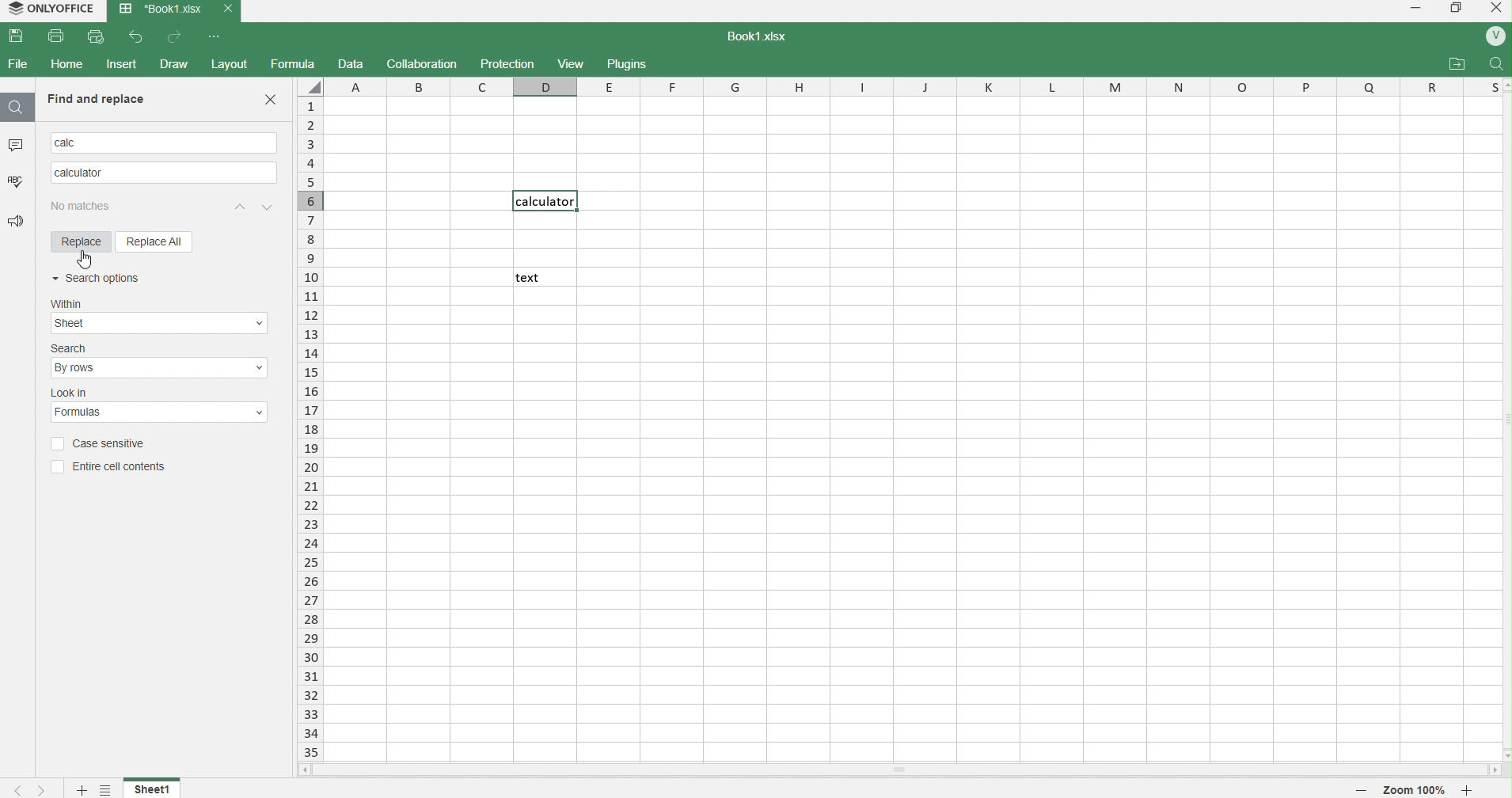  What do you see at coordinates (1412, 9) in the screenshot?
I see `minimize` at bounding box center [1412, 9].